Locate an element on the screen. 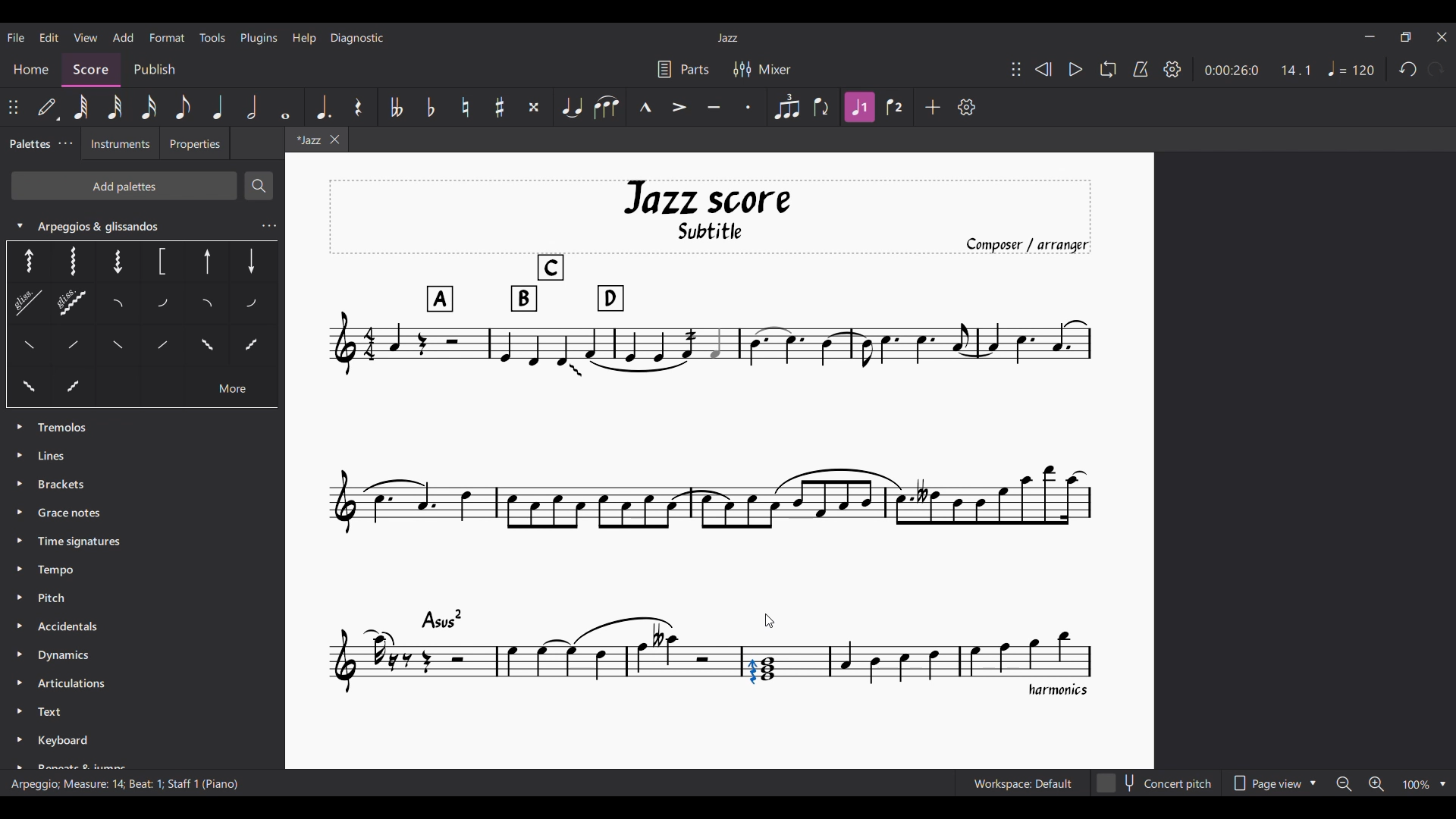  Concert pitch toggle is located at coordinates (1156, 783).